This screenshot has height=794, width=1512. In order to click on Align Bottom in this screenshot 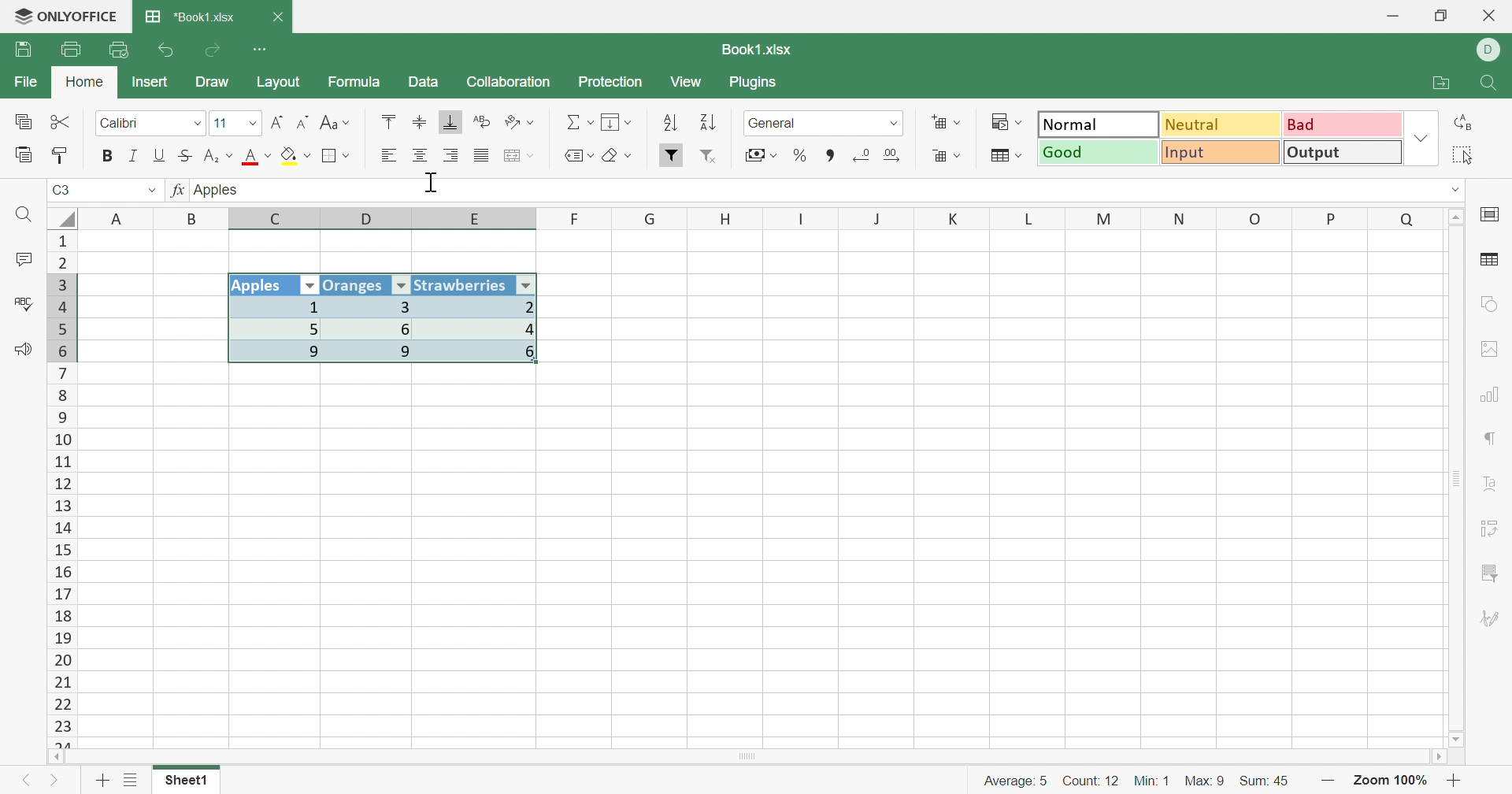, I will do `click(451, 122)`.